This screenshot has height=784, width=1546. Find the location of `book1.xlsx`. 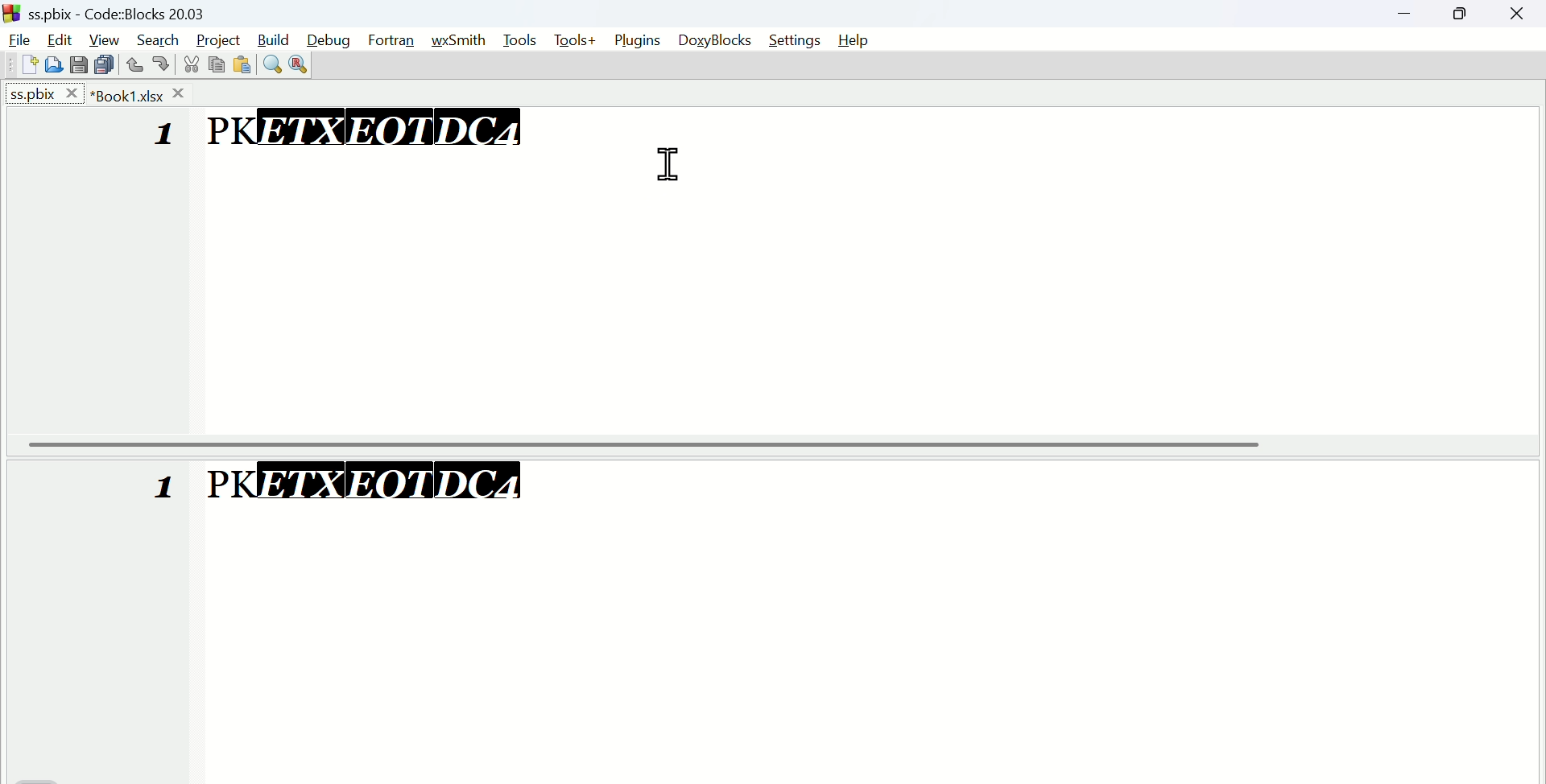

book1.xlsx is located at coordinates (140, 93).